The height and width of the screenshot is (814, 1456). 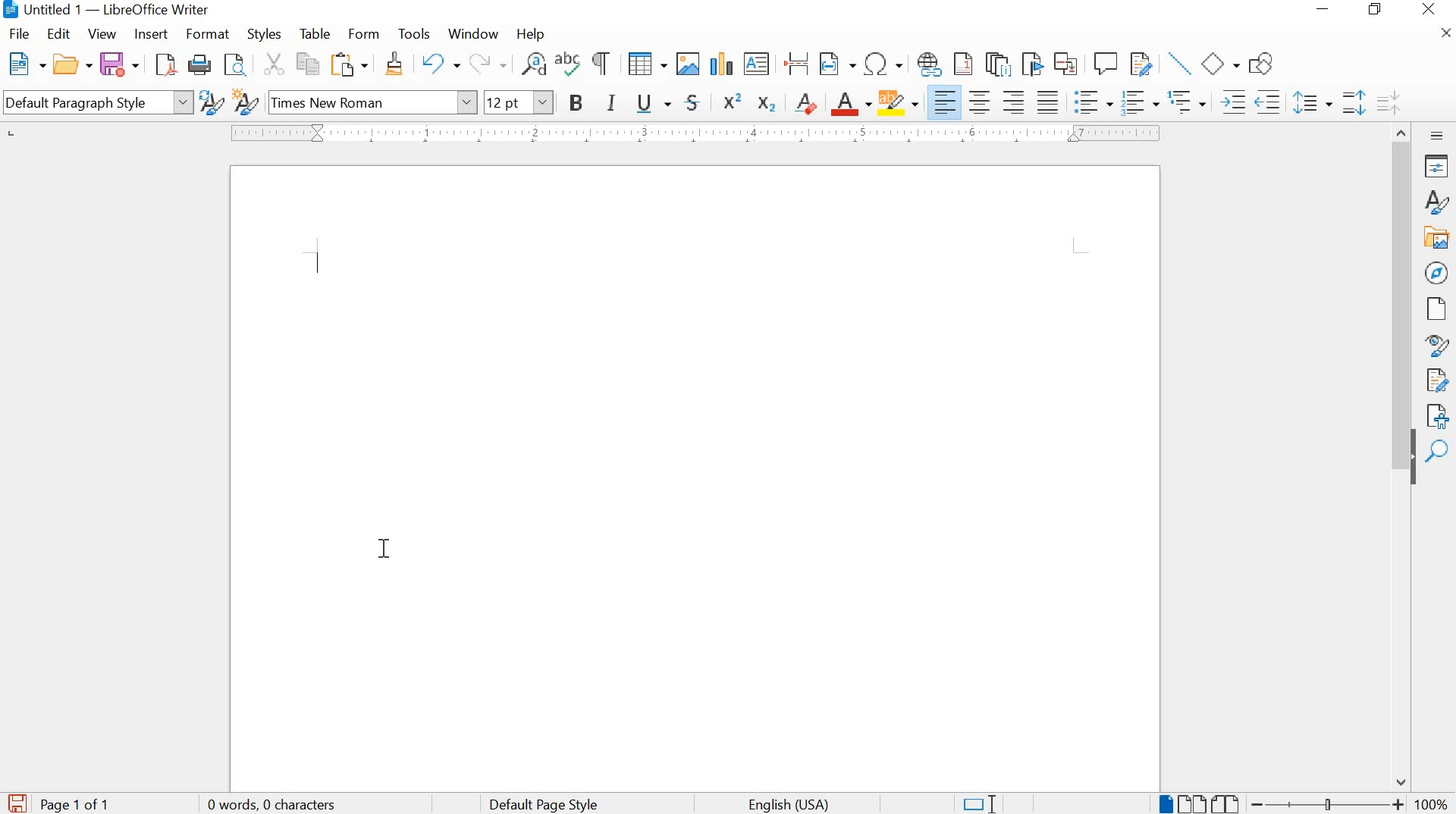 What do you see at coordinates (1434, 308) in the screenshot?
I see `PAGE` at bounding box center [1434, 308].